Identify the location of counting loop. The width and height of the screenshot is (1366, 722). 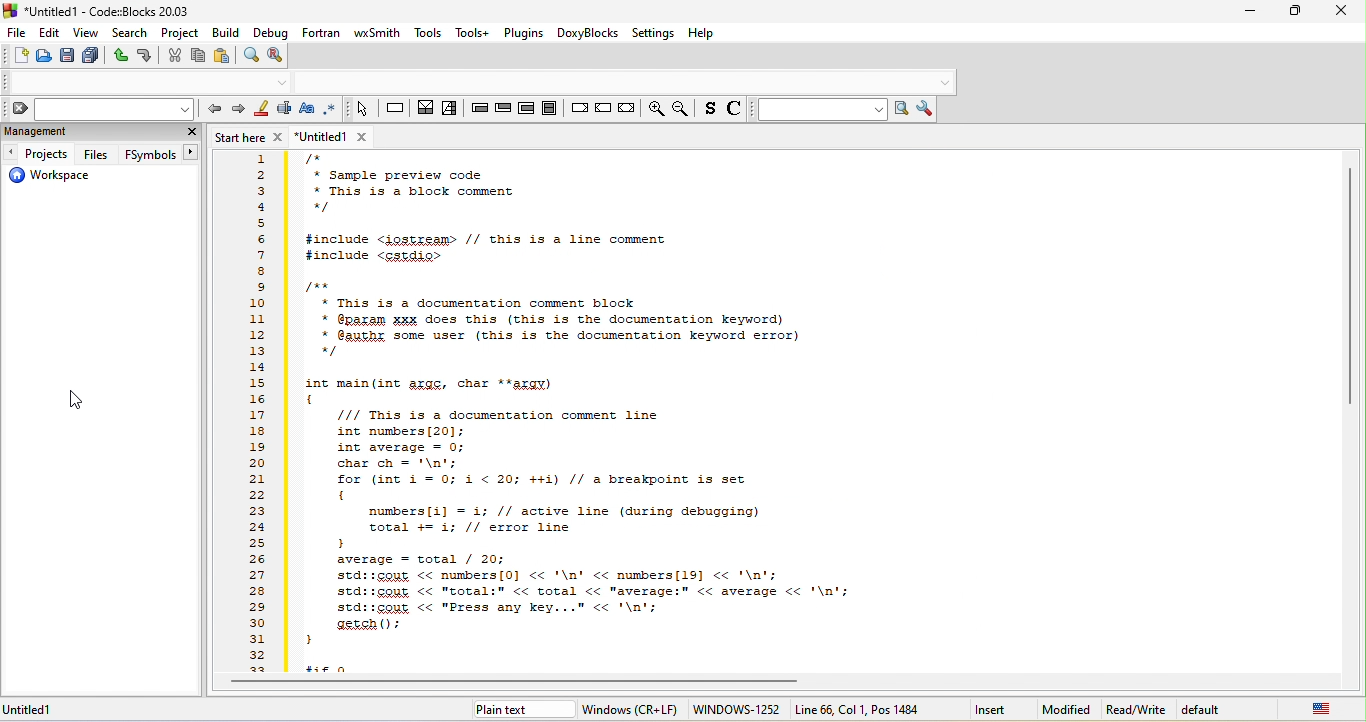
(525, 108).